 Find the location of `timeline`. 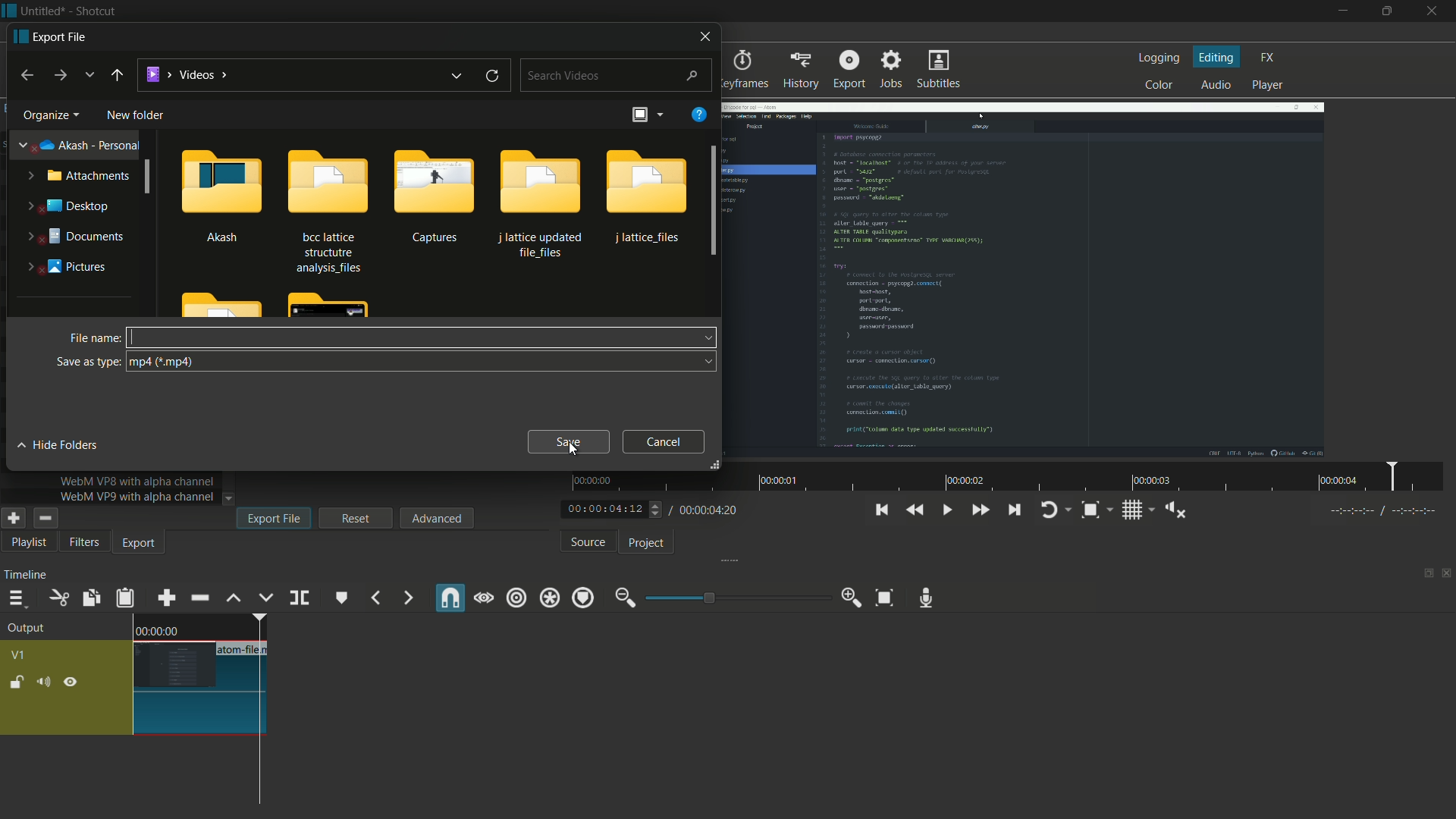

timeline is located at coordinates (25, 577).